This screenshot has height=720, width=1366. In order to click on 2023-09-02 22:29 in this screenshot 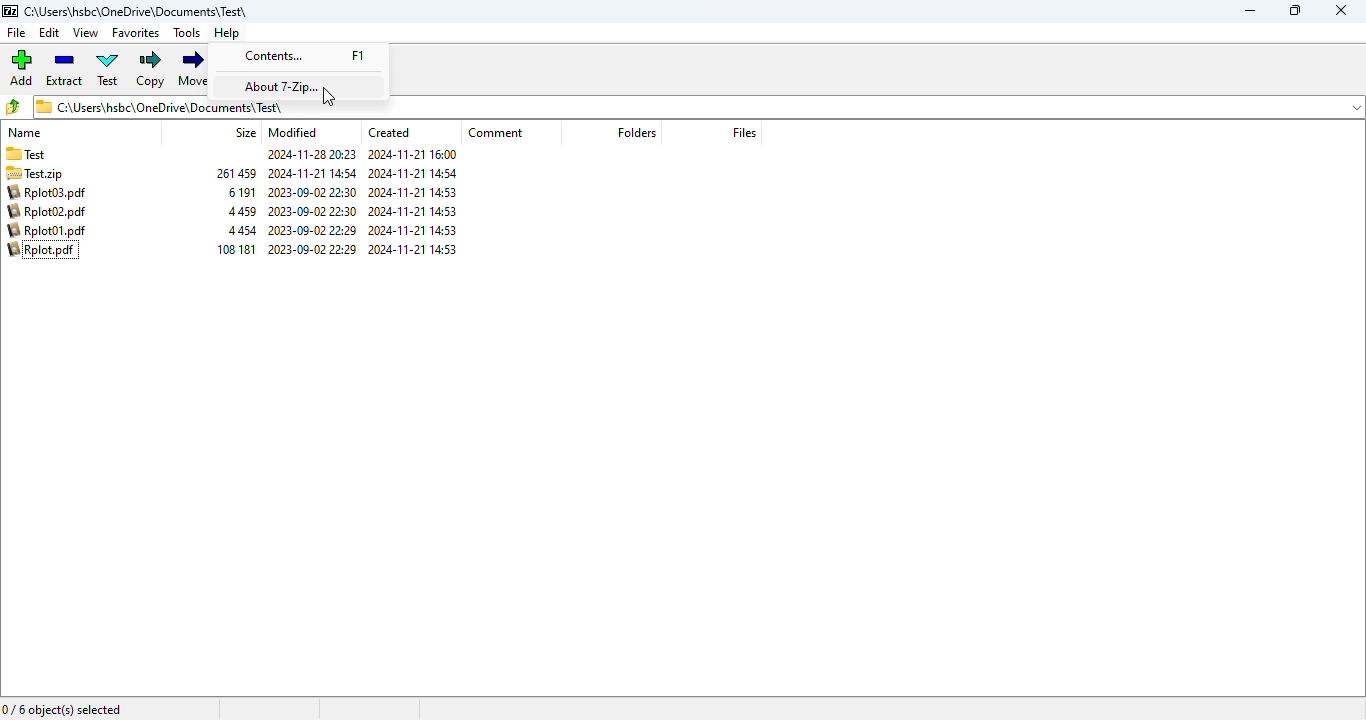, I will do `click(312, 250)`.